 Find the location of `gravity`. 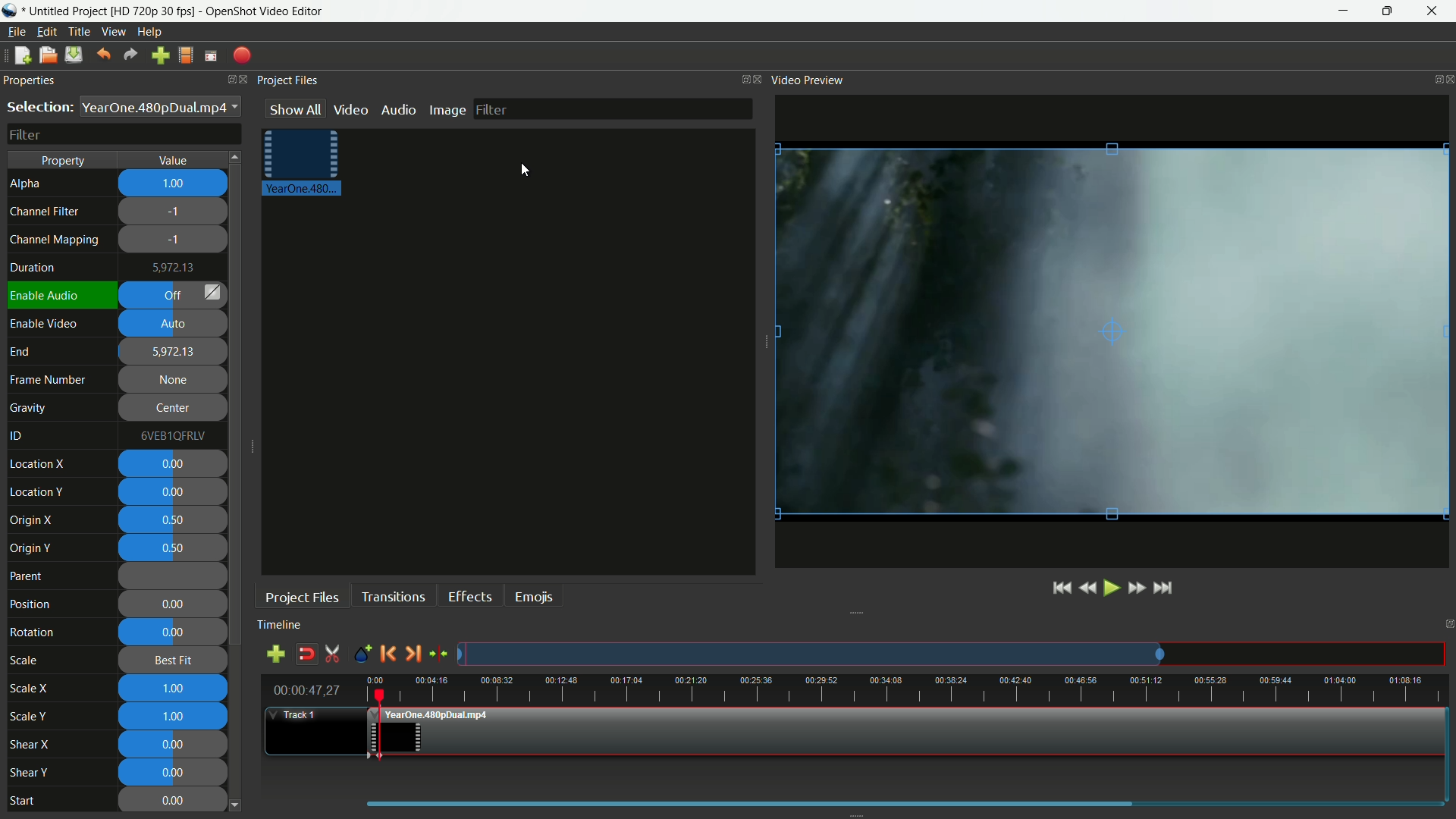

gravity is located at coordinates (30, 406).